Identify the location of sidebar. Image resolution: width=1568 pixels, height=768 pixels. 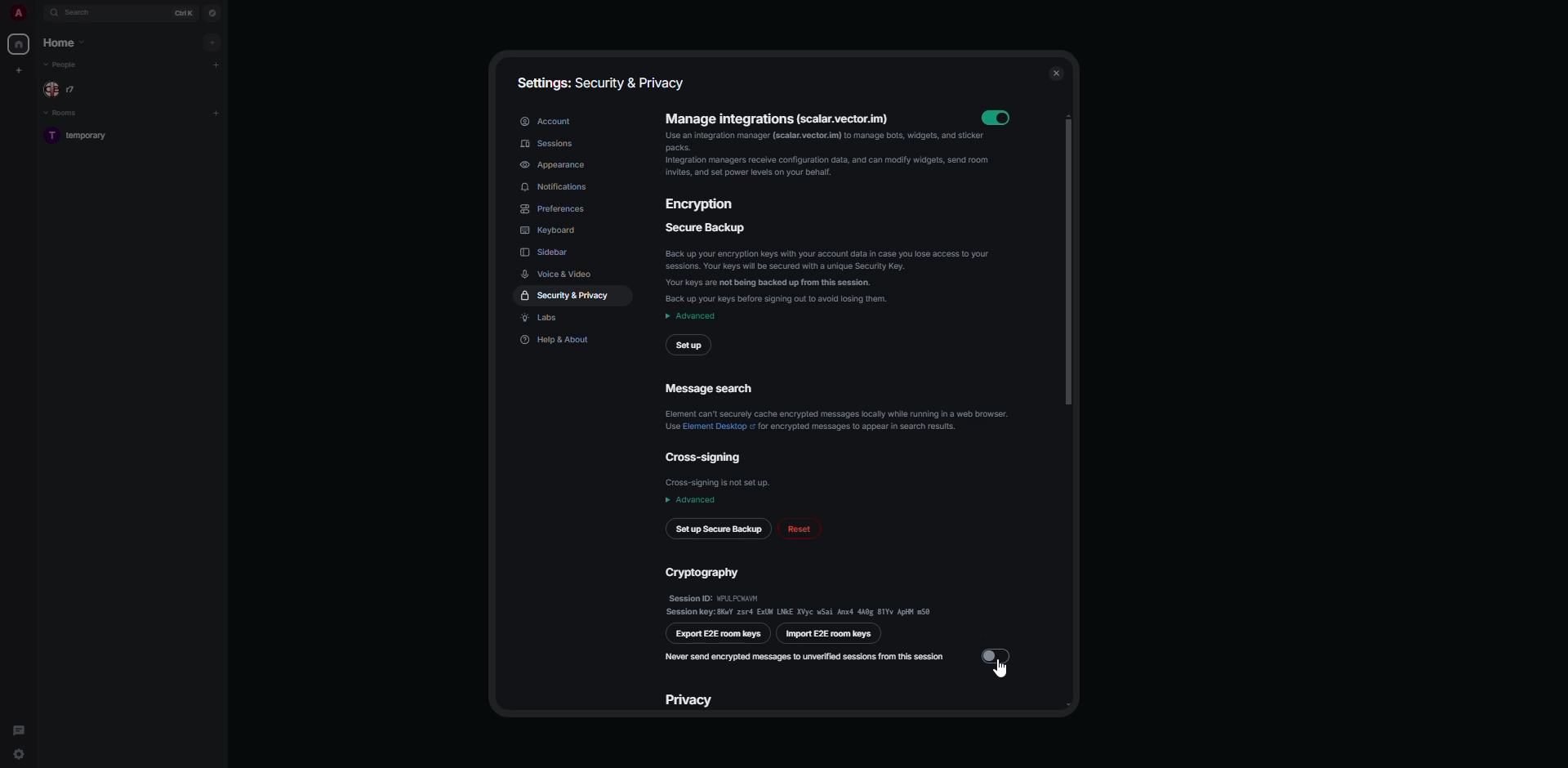
(546, 252).